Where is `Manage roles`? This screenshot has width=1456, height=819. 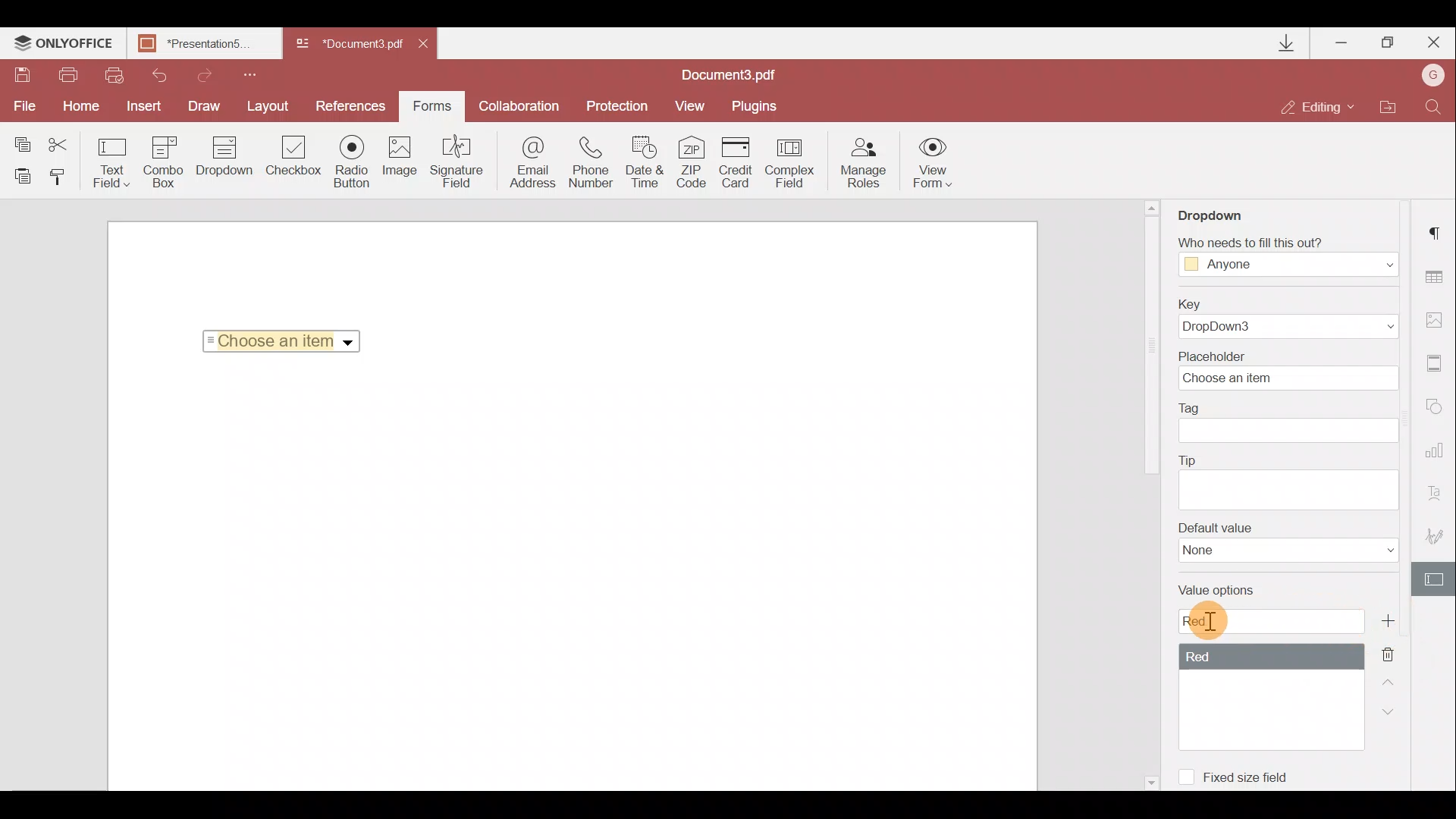
Manage roles is located at coordinates (864, 163).